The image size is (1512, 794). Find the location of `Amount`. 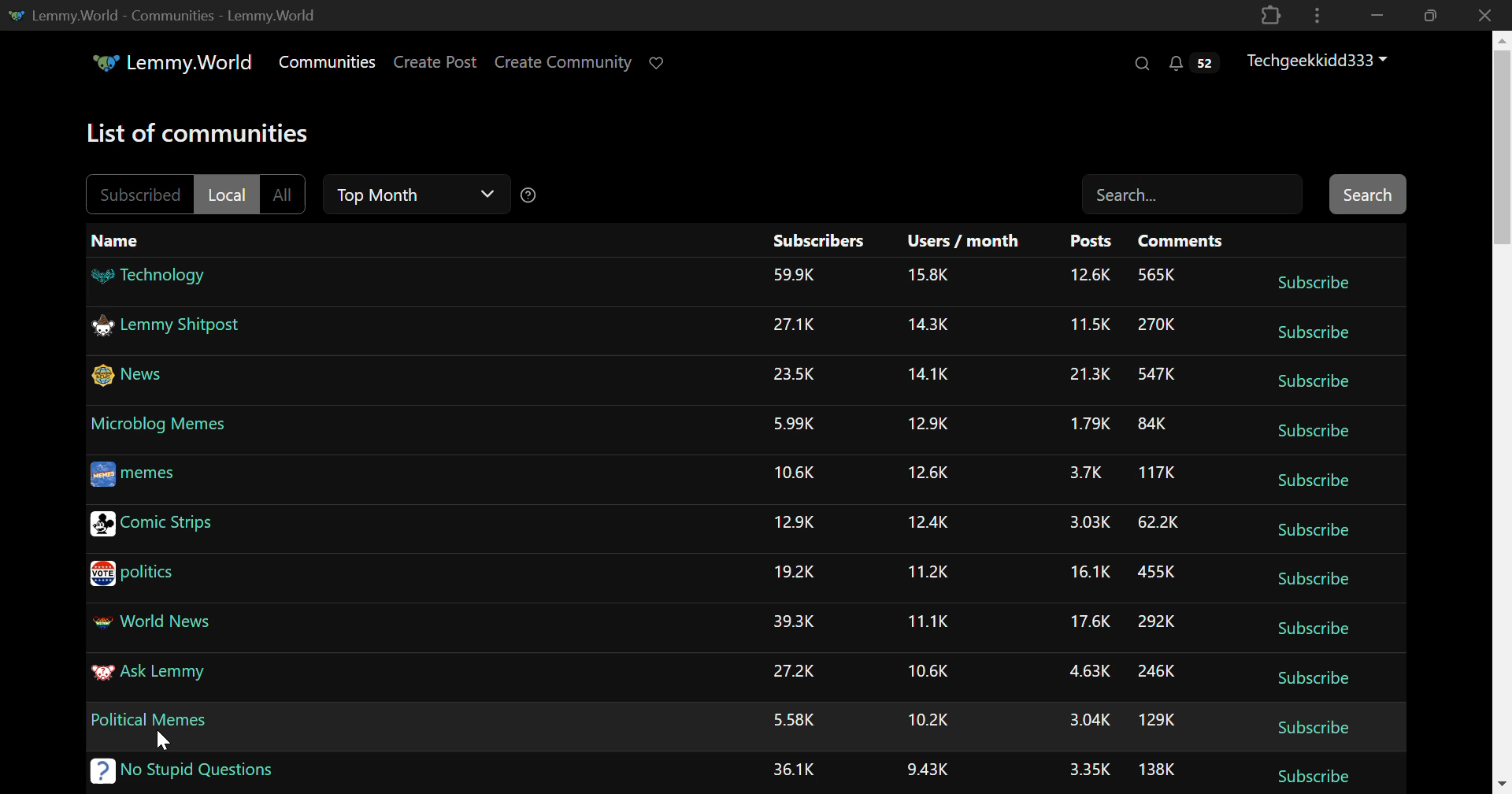

Amount is located at coordinates (1085, 473).